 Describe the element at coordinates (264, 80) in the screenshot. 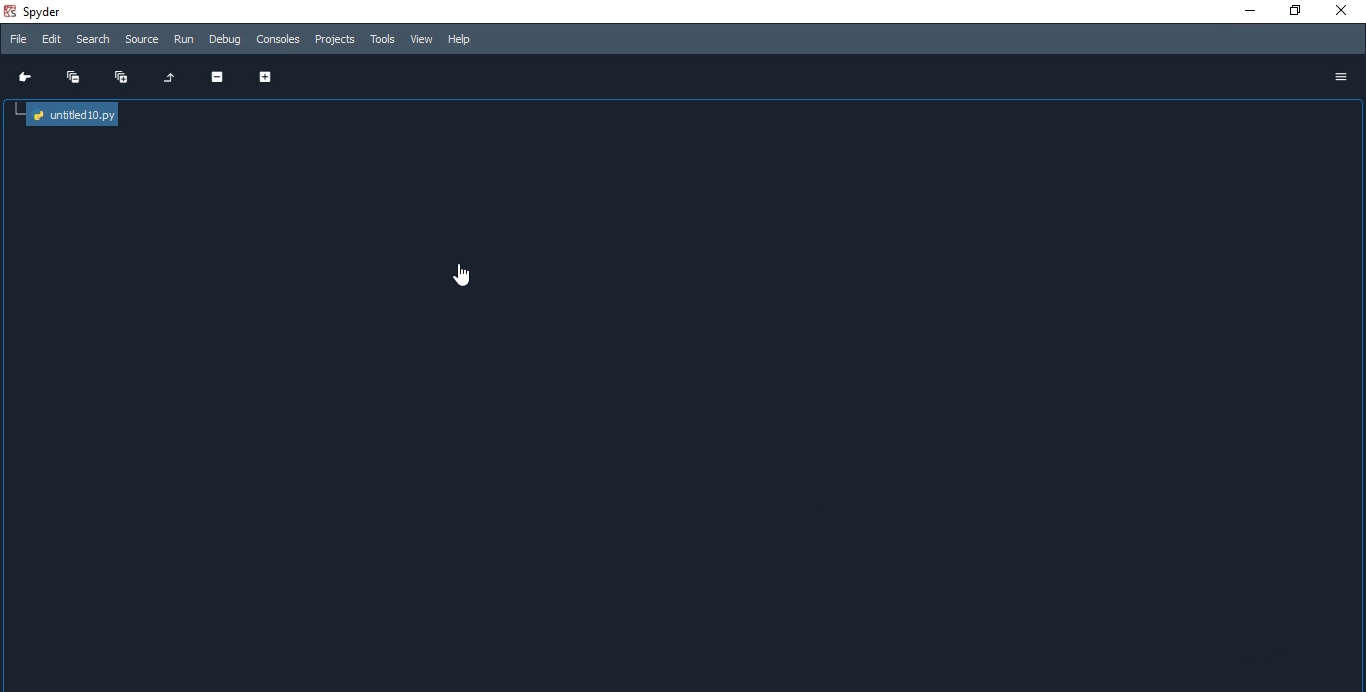

I see `Expand section ` at that location.